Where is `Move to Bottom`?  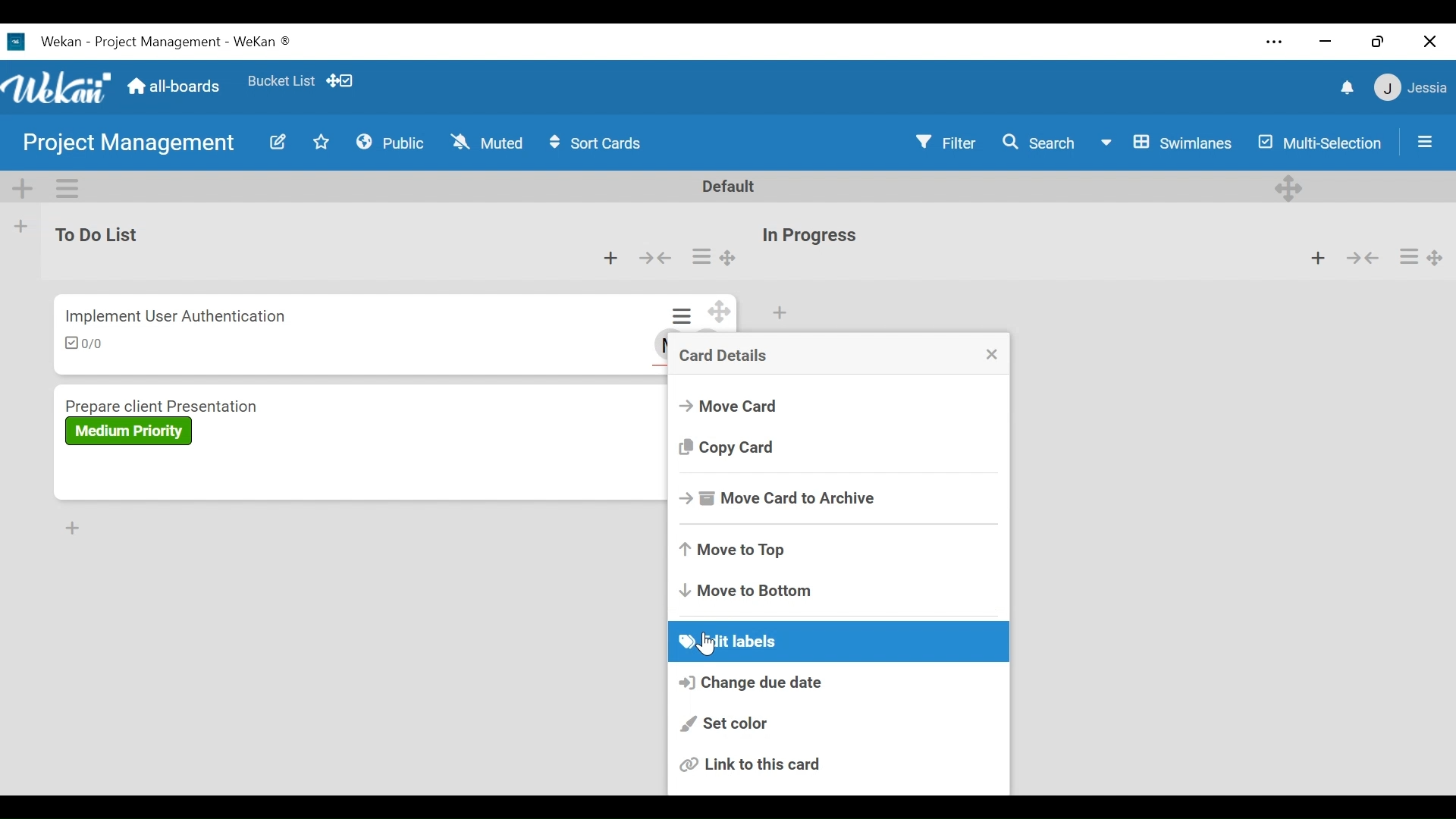 Move to Bottom is located at coordinates (743, 589).